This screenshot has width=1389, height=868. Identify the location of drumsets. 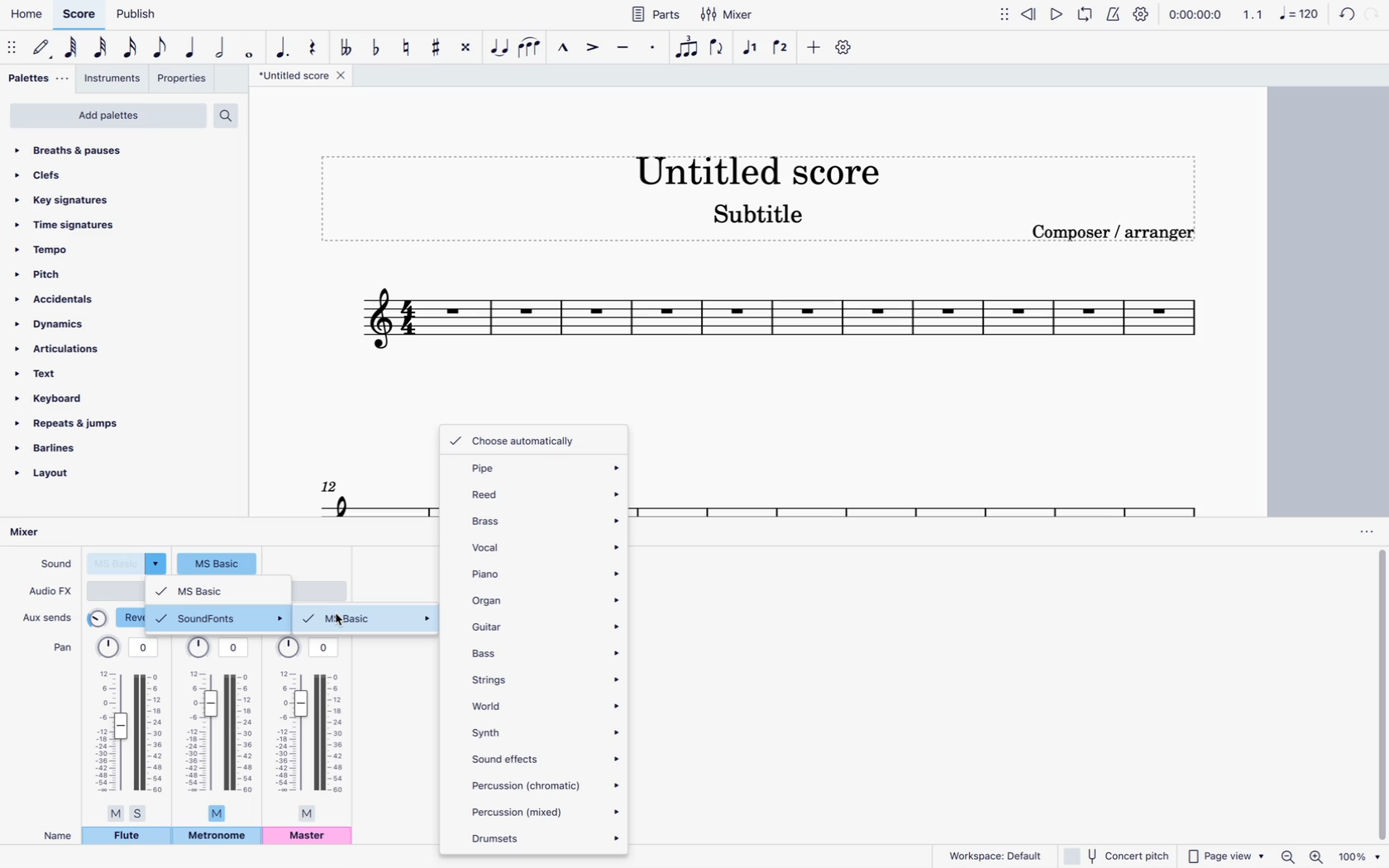
(543, 837).